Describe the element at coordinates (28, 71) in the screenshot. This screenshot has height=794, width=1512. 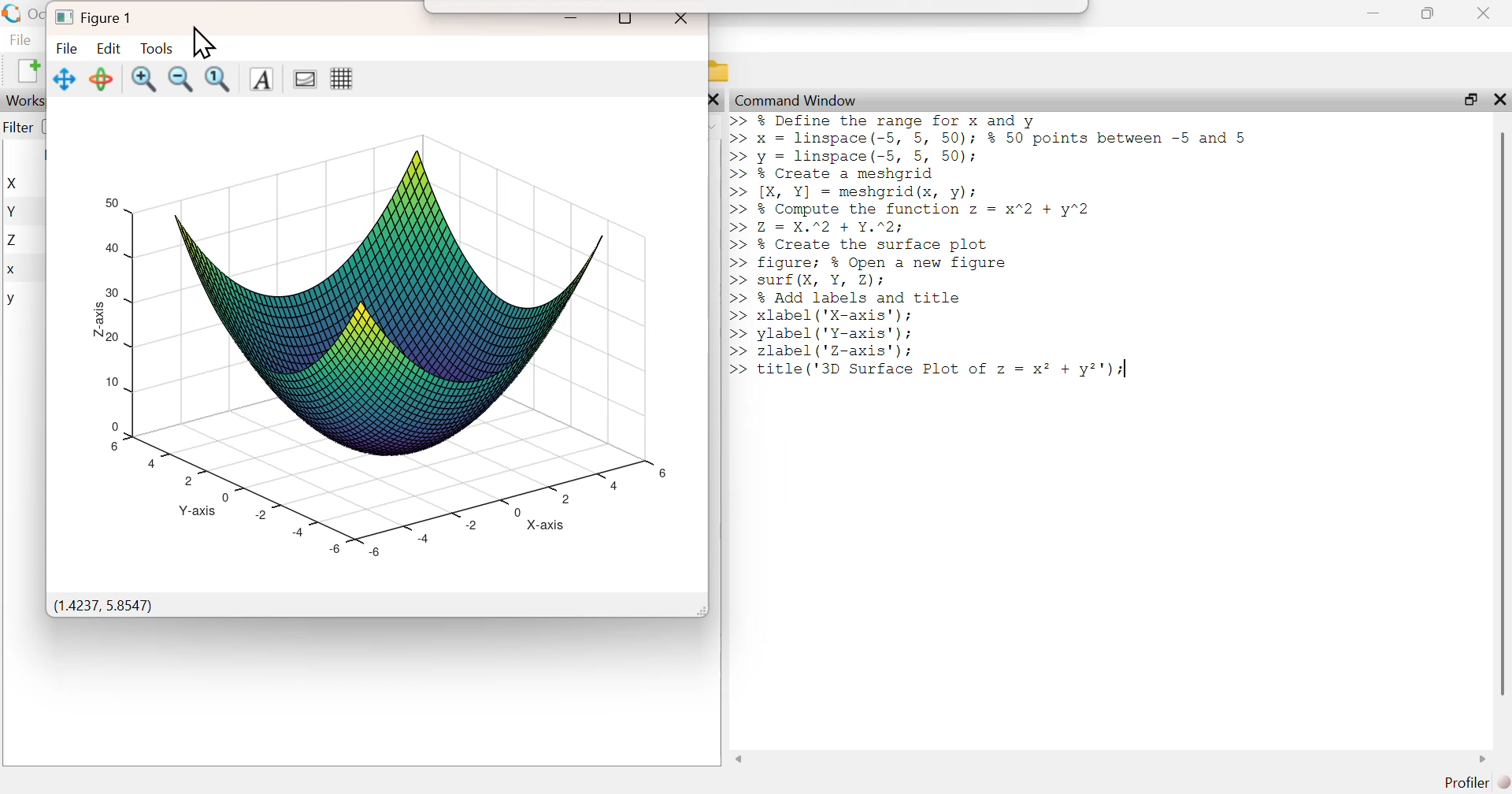
I see `New File` at that location.